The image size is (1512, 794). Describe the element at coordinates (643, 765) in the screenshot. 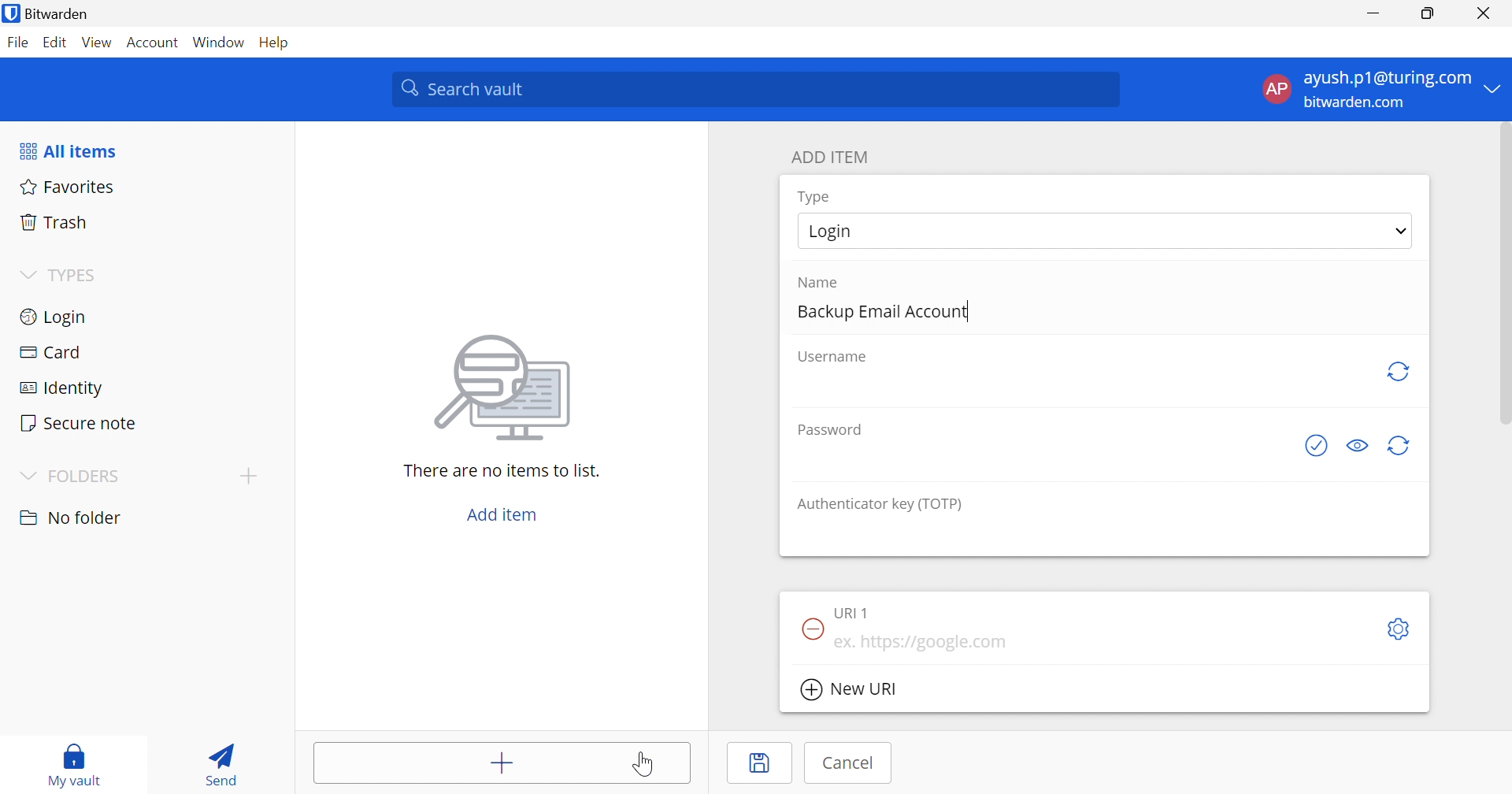

I see `Cursor` at that location.